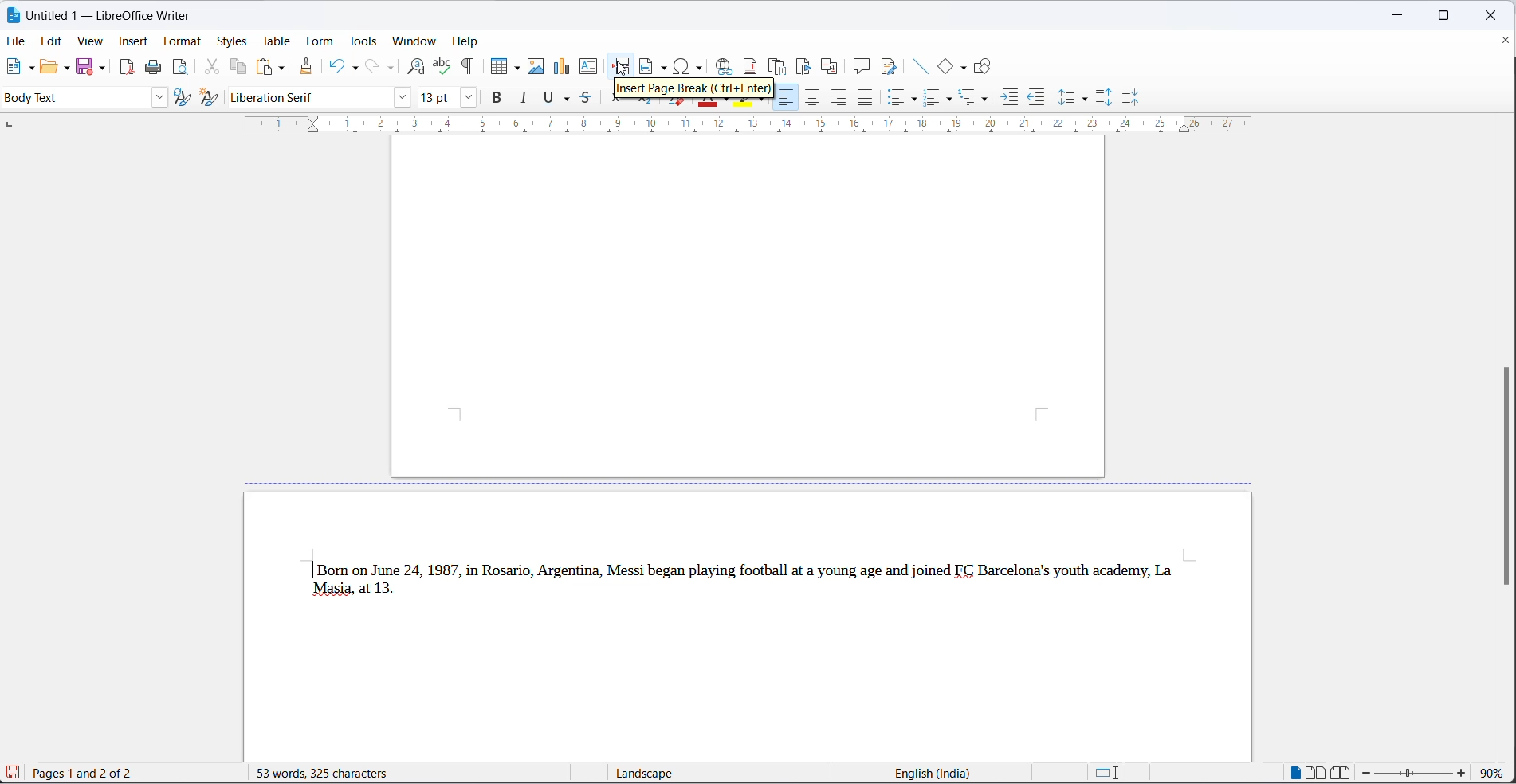  I want to click on basic shapes, so click(967, 68).